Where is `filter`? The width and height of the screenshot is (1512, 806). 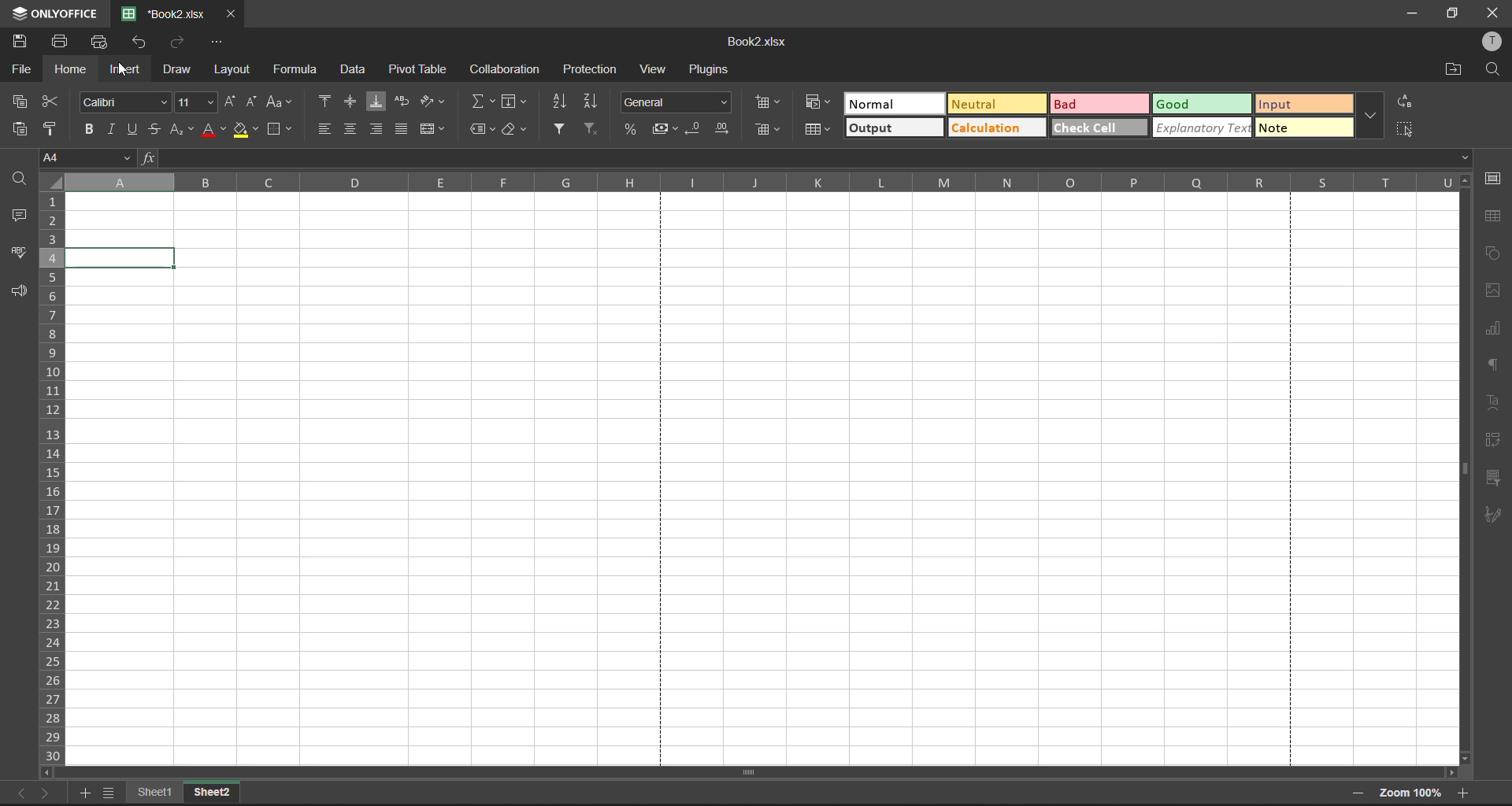 filter is located at coordinates (556, 130).